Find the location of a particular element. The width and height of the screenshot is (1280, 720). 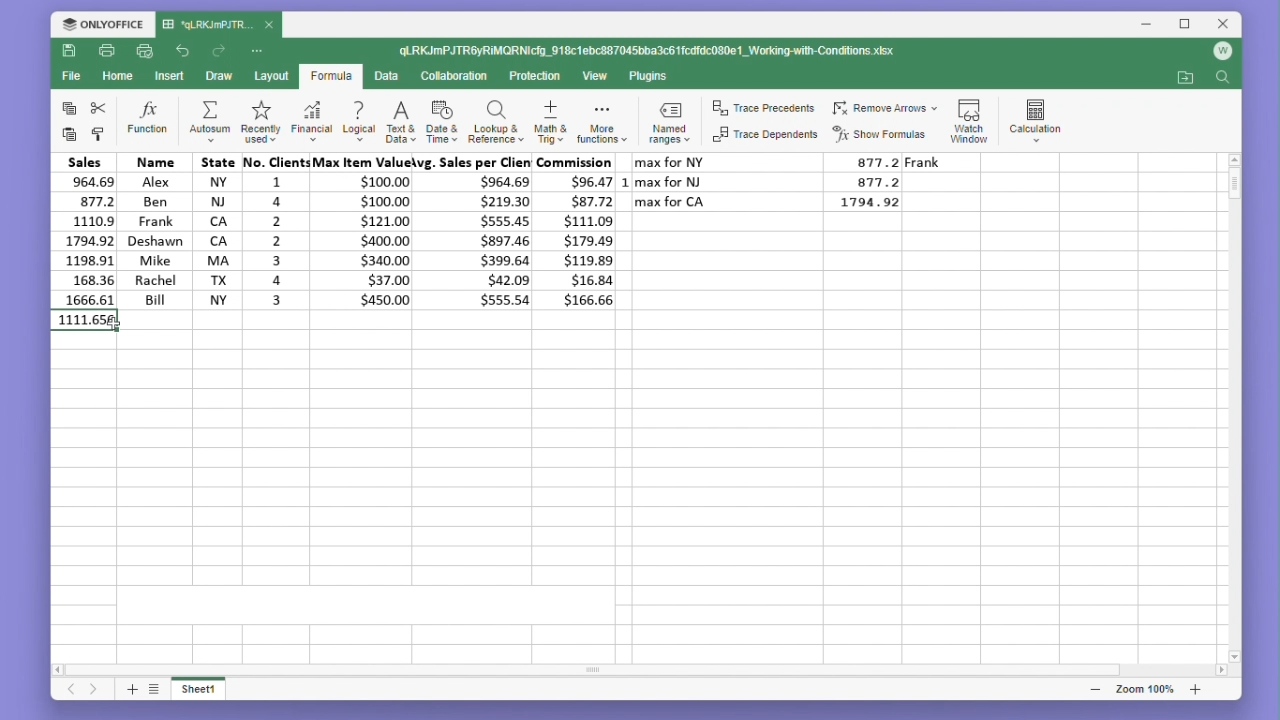

Zoom 100% is located at coordinates (1150, 689).